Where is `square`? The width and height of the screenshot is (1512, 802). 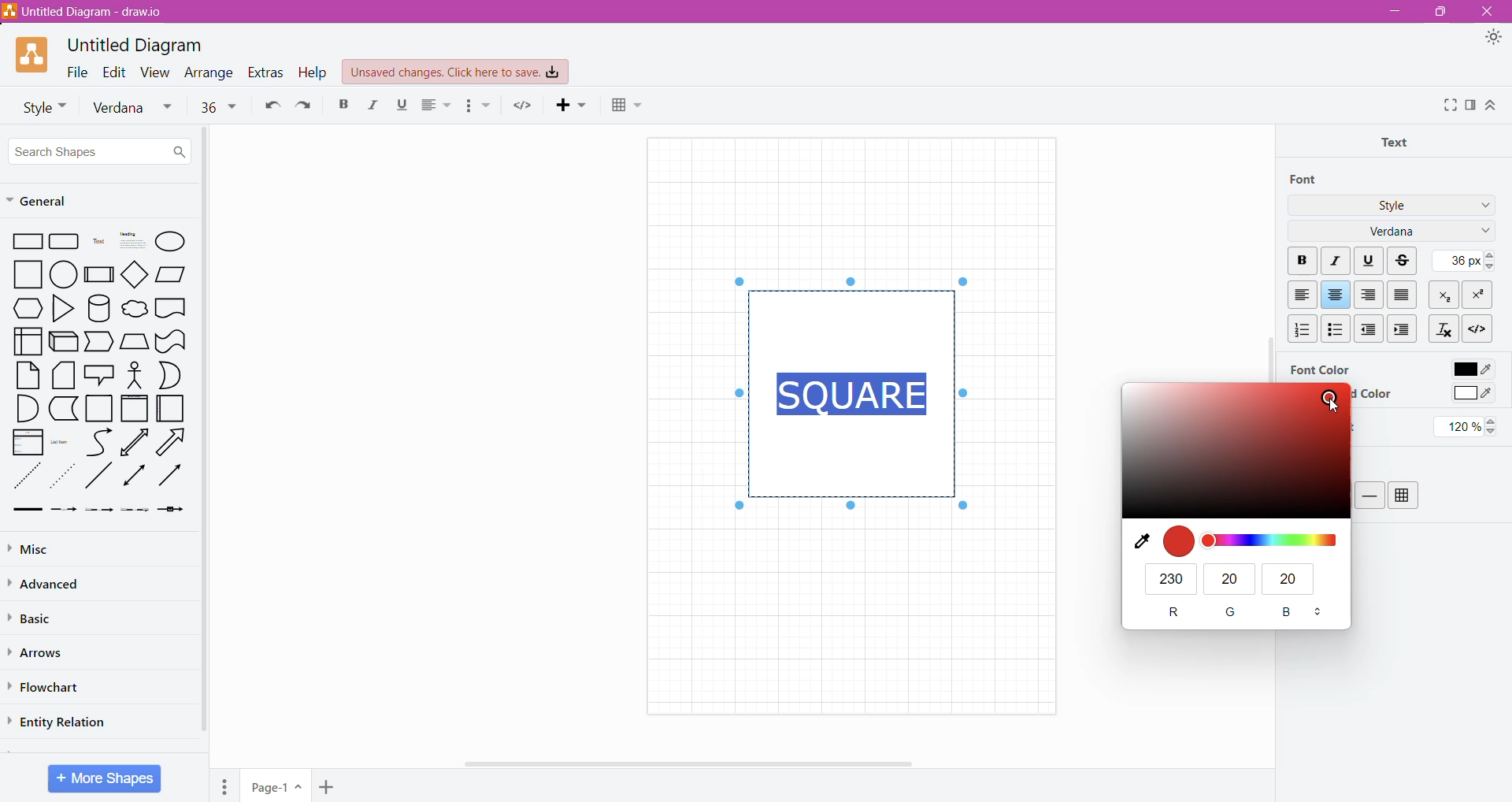 square is located at coordinates (23, 274).